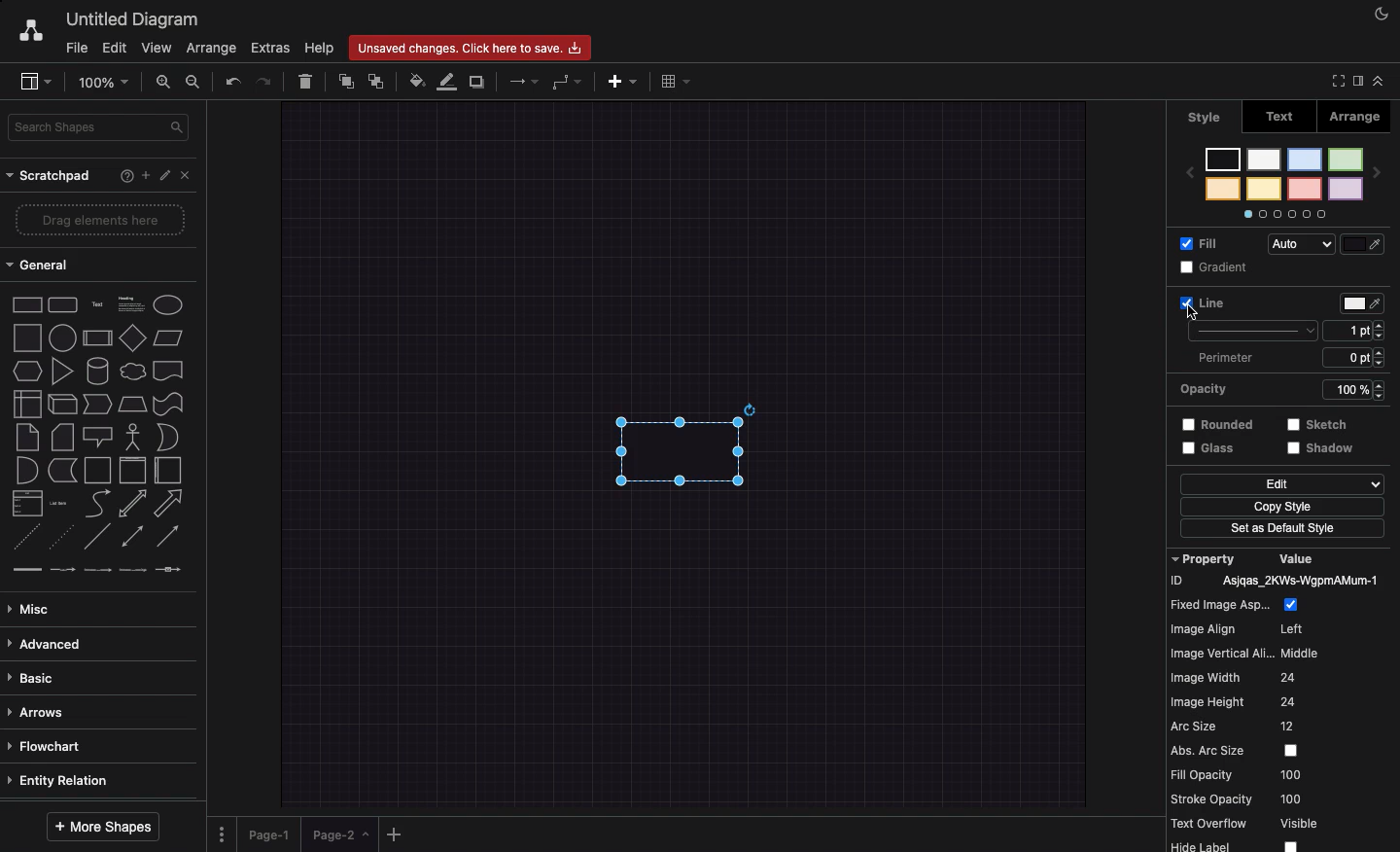 The width and height of the screenshot is (1400, 852). Describe the element at coordinates (27, 303) in the screenshot. I see `rectangle` at that location.